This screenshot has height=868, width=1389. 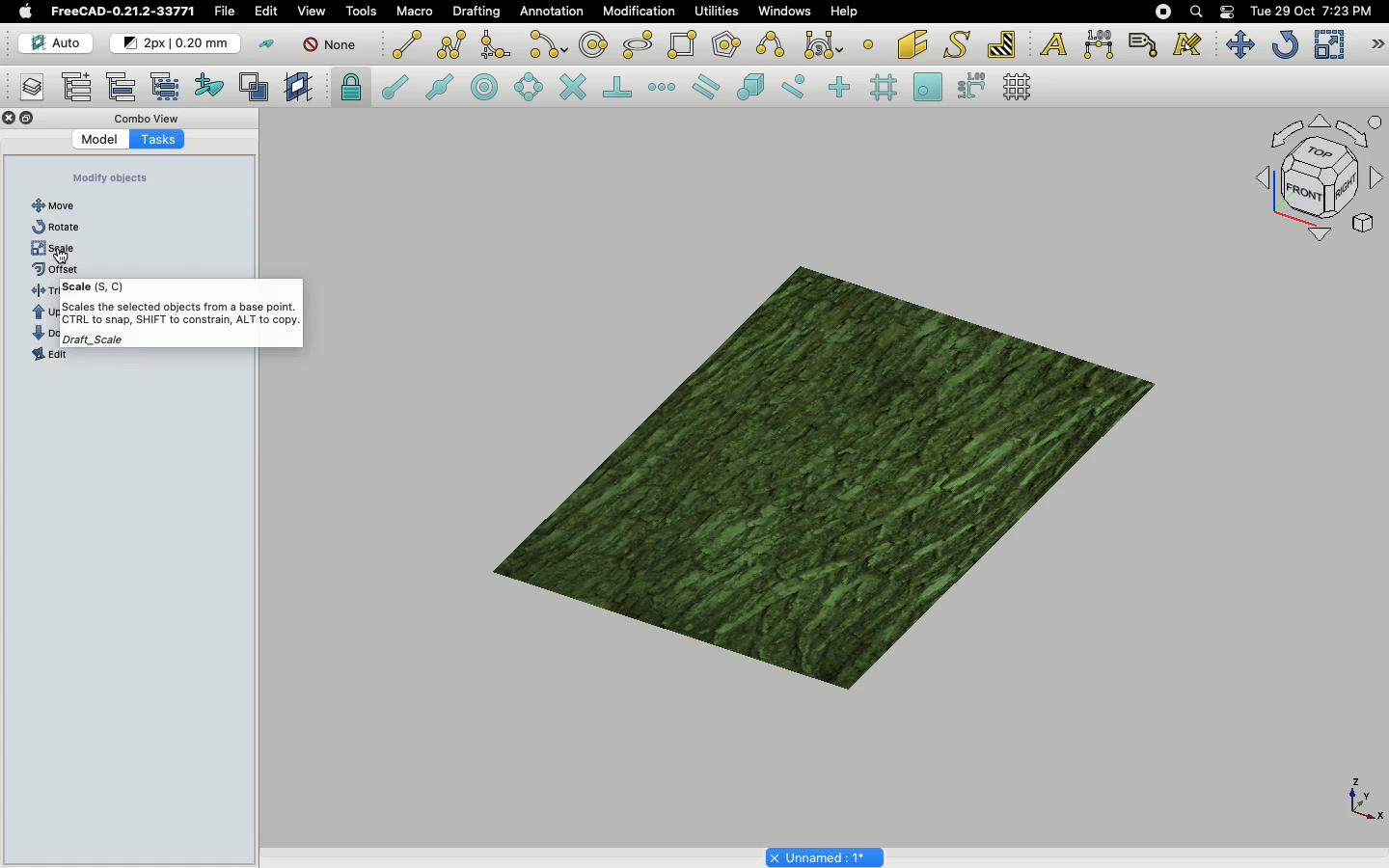 What do you see at coordinates (1312, 12) in the screenshot?
I see `Date/time` at bounding box center [1312, 12].